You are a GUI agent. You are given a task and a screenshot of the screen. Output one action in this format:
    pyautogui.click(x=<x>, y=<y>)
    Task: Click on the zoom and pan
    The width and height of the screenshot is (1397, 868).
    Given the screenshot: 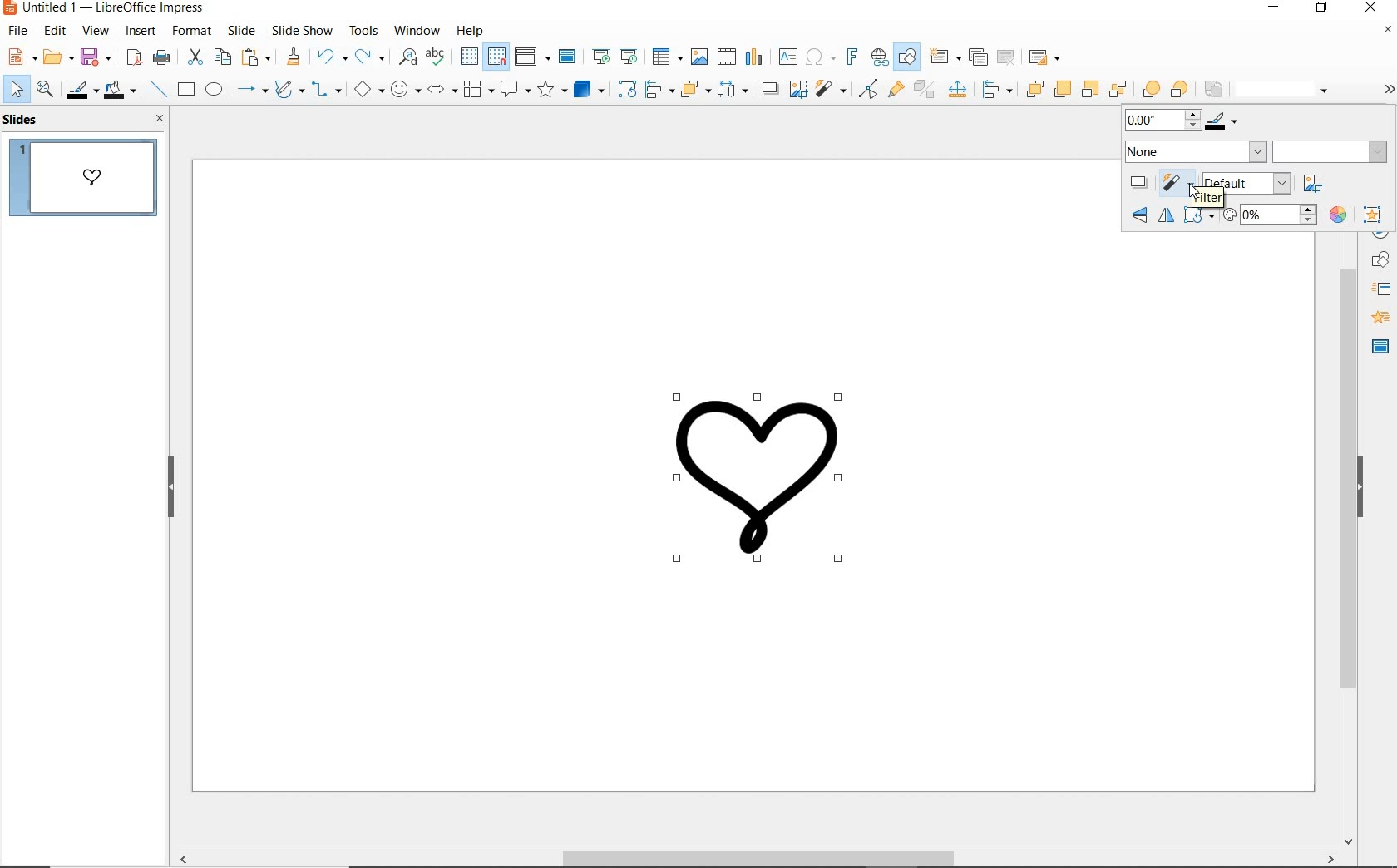 What is the action you would take?
    pyautogui.click(x=43, y=89)
    